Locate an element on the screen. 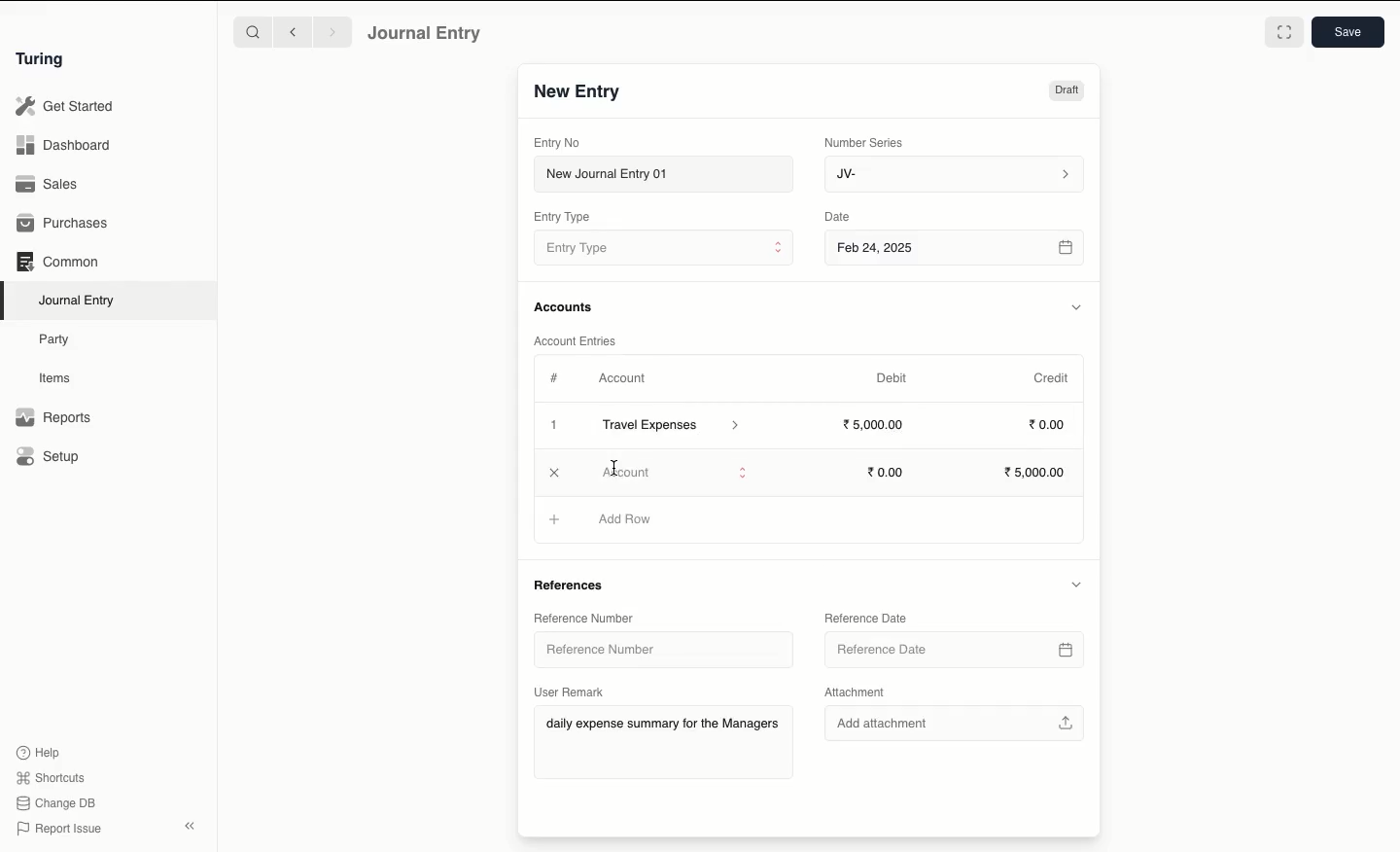  Shortcuts is located at coordinates (53, 778).